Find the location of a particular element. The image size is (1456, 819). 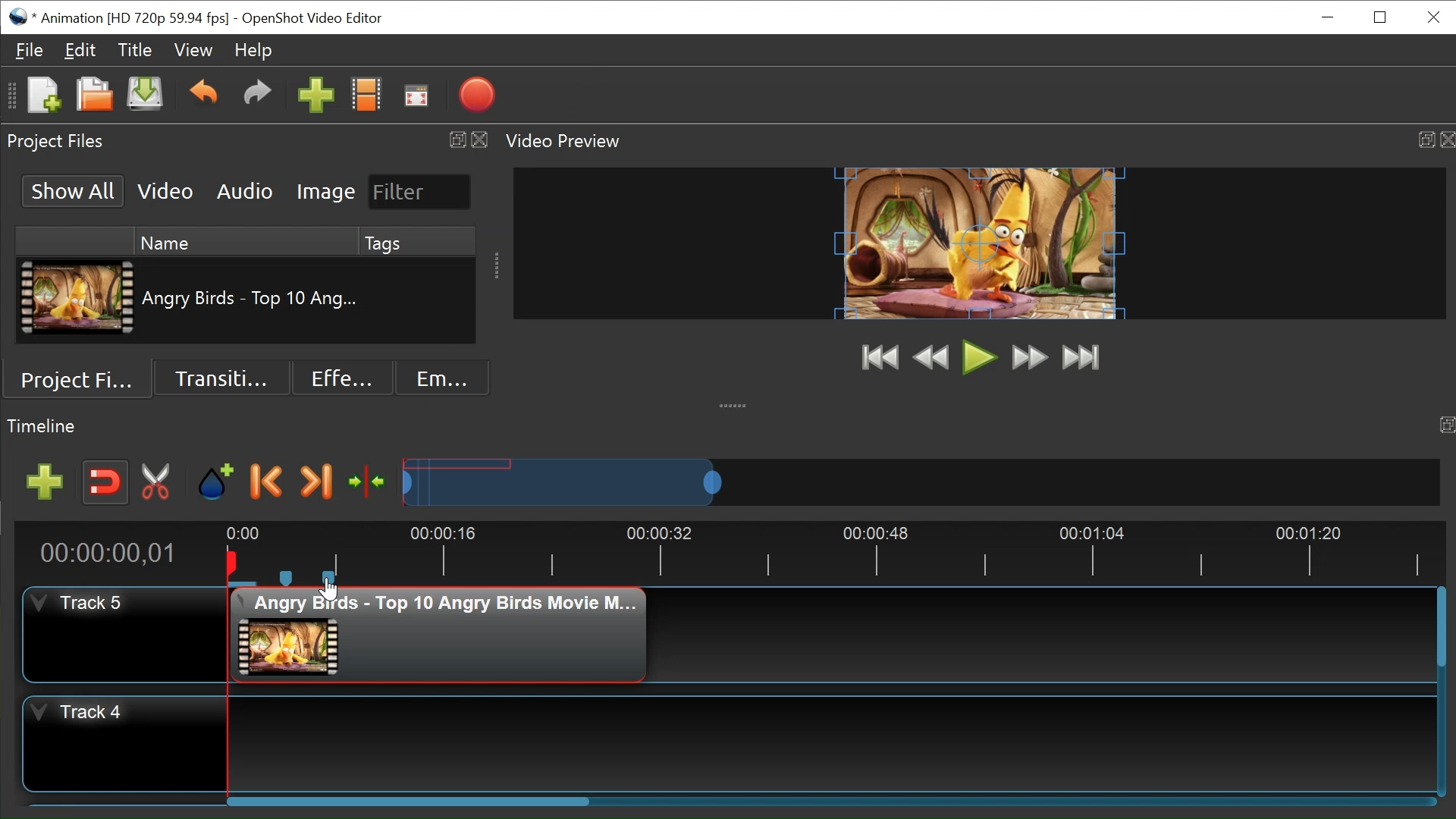

Save Project is located at coordinates (144, 97).